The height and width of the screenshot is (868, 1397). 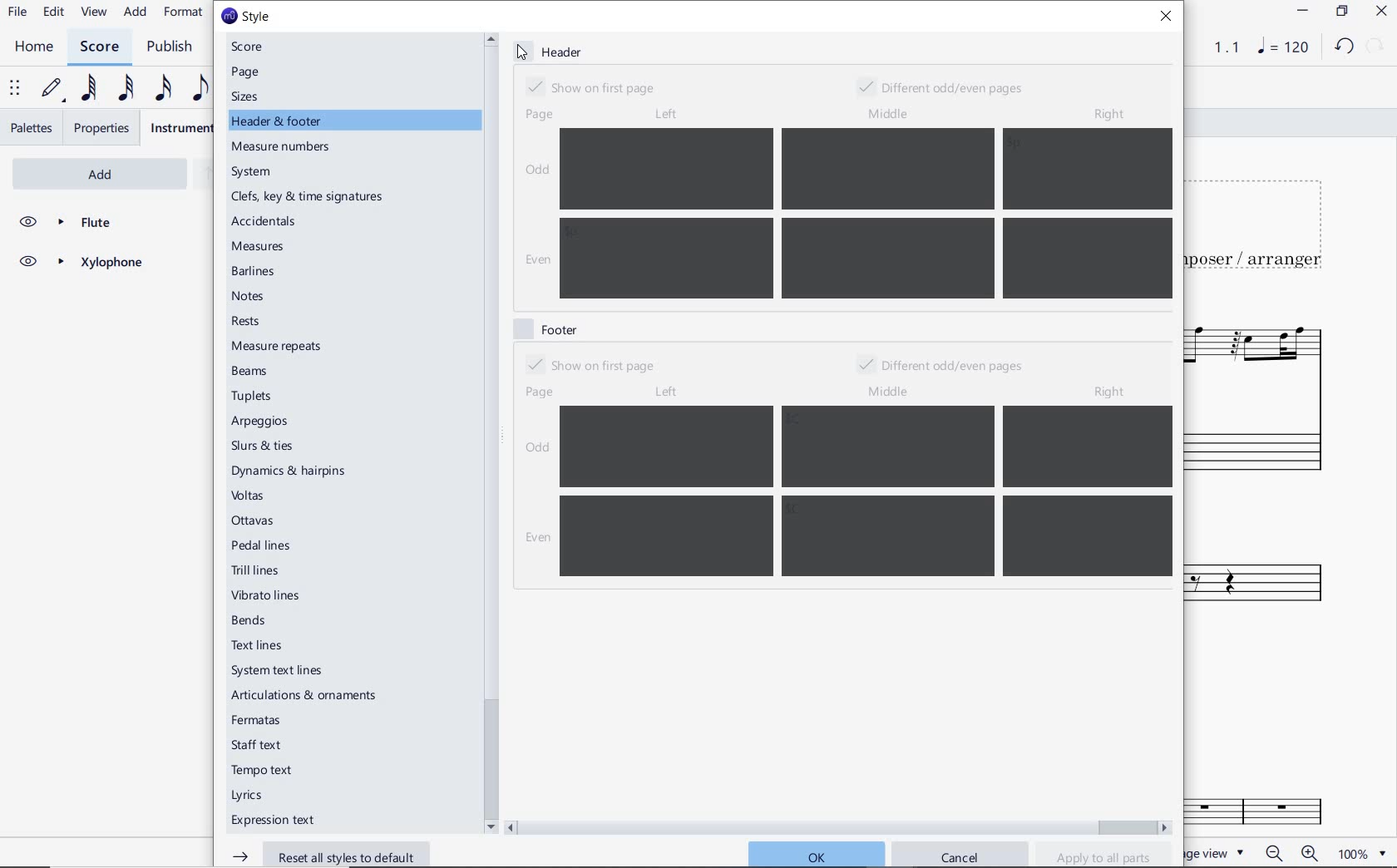 What do you see at coordinates (1364, 853) in the screenshot?
I see `ZOOM FACTOR` at bounding box center [1364, 853].